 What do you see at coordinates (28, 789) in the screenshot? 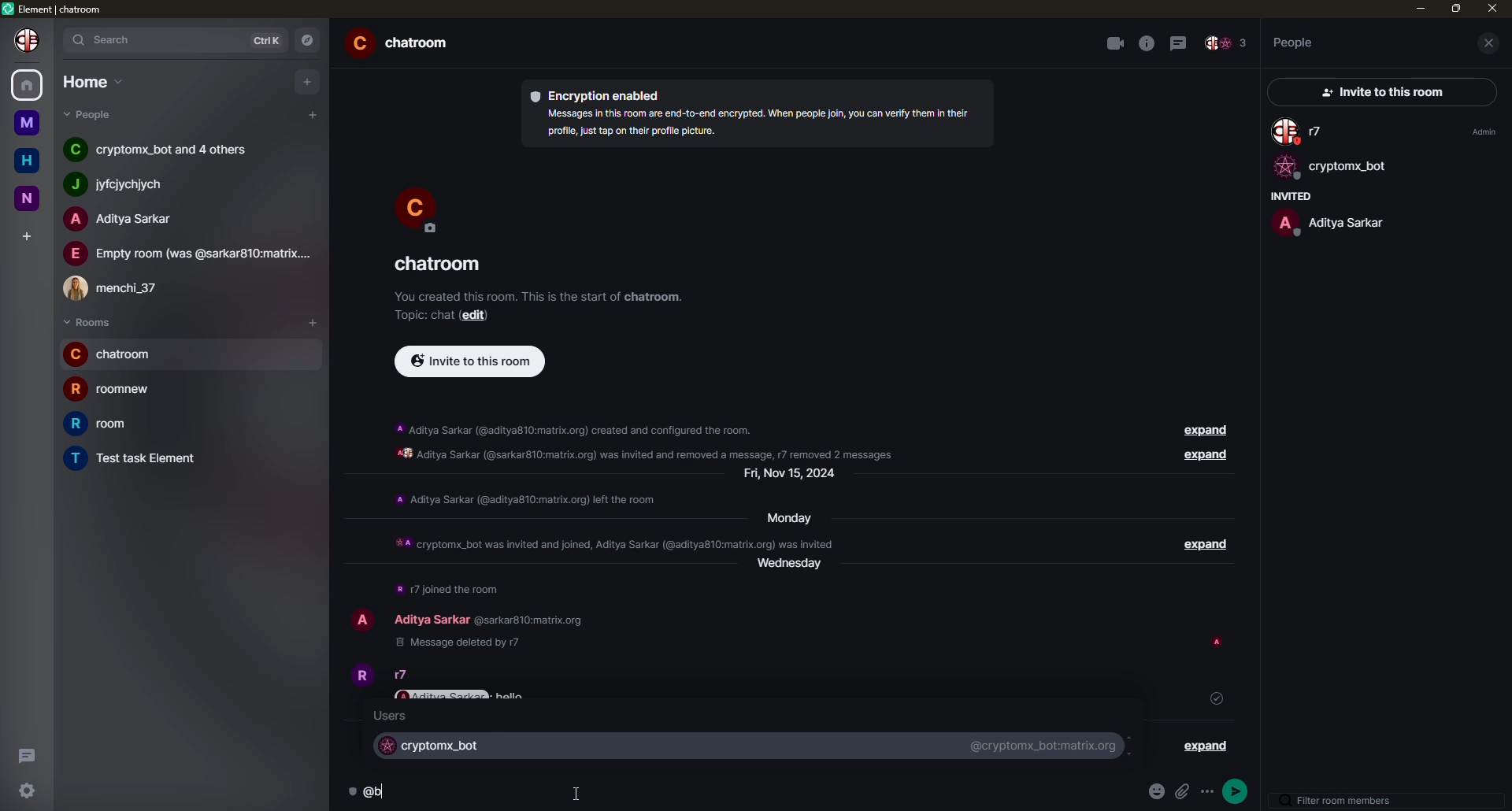
I see `settings` at bounding box center [28, 789].